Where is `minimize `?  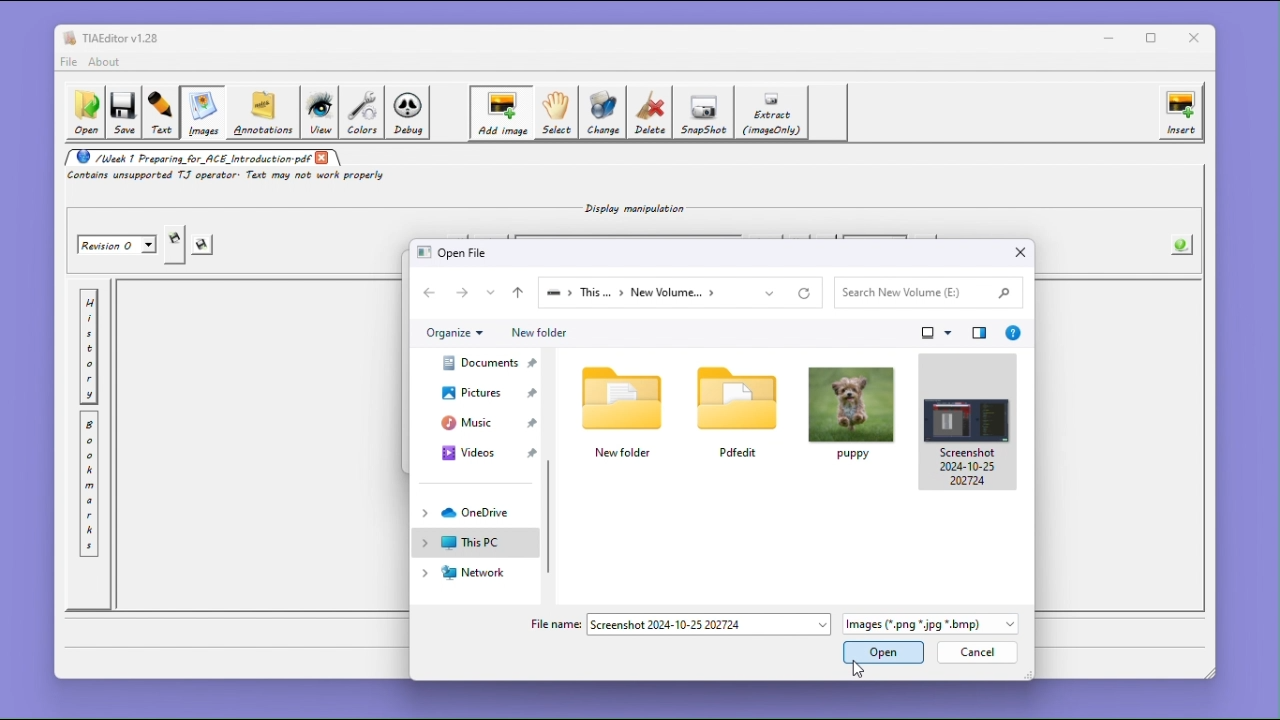
minimize  is located at coordinates (1109, 37).